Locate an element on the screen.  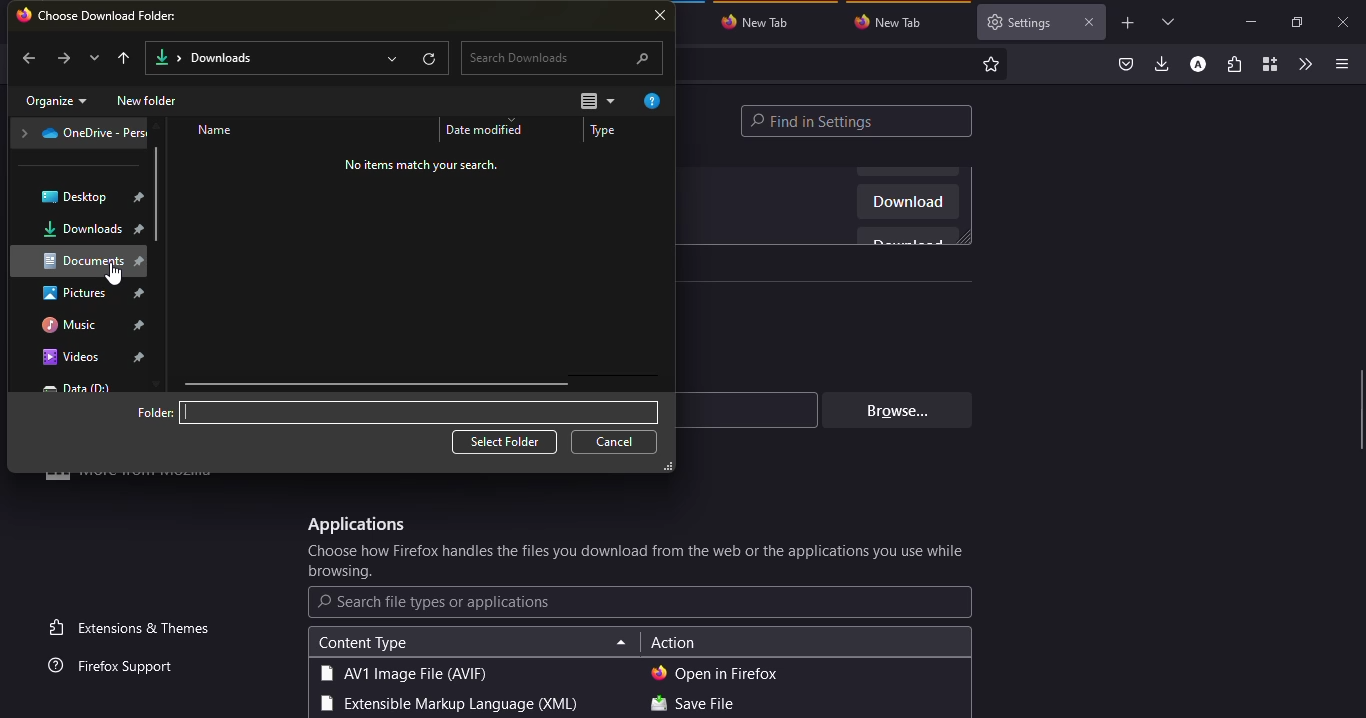
new folde is located at coordinates (149, 101).